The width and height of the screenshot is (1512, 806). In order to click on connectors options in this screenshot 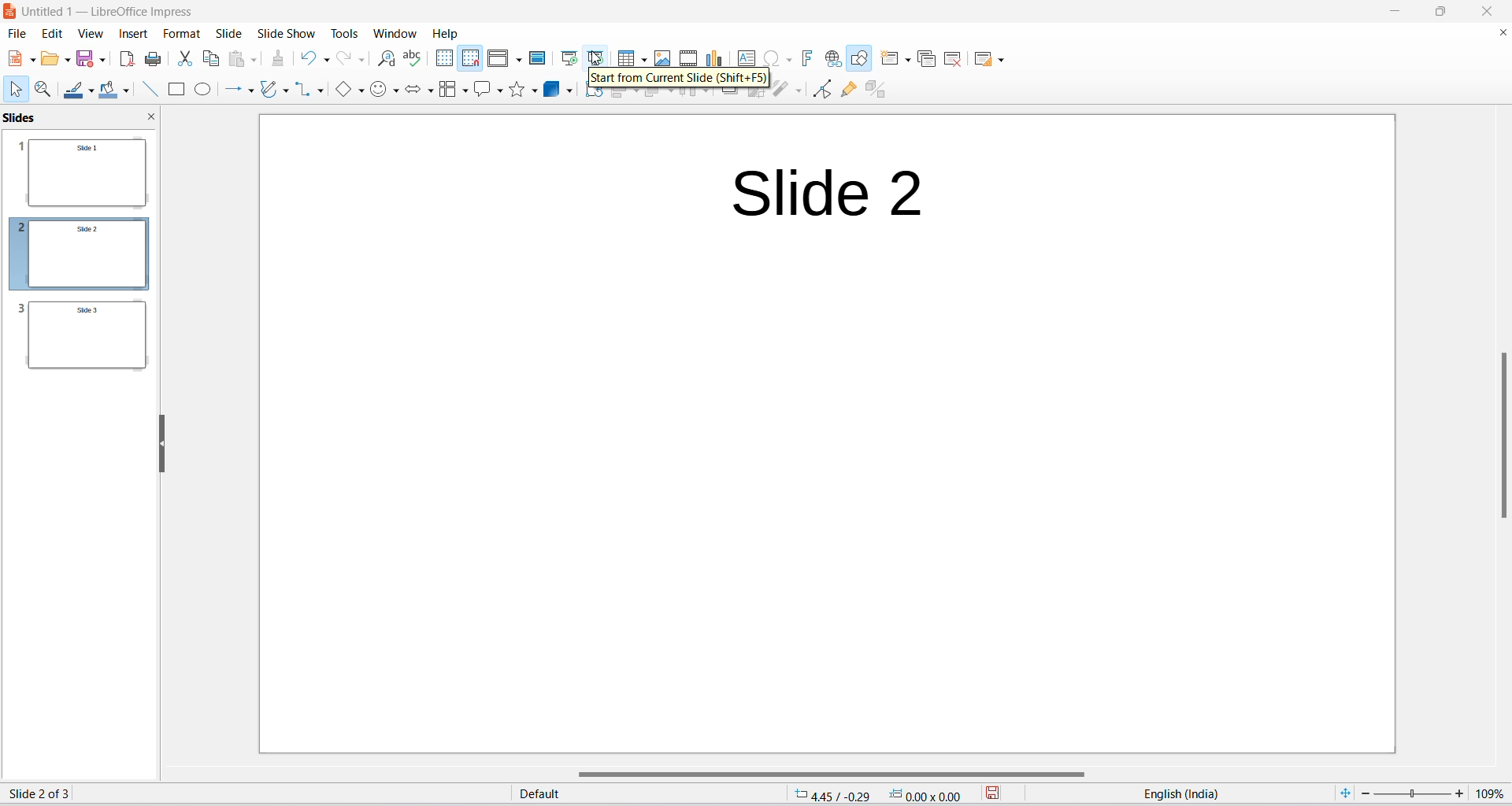, I will do `click(318, 93)`.